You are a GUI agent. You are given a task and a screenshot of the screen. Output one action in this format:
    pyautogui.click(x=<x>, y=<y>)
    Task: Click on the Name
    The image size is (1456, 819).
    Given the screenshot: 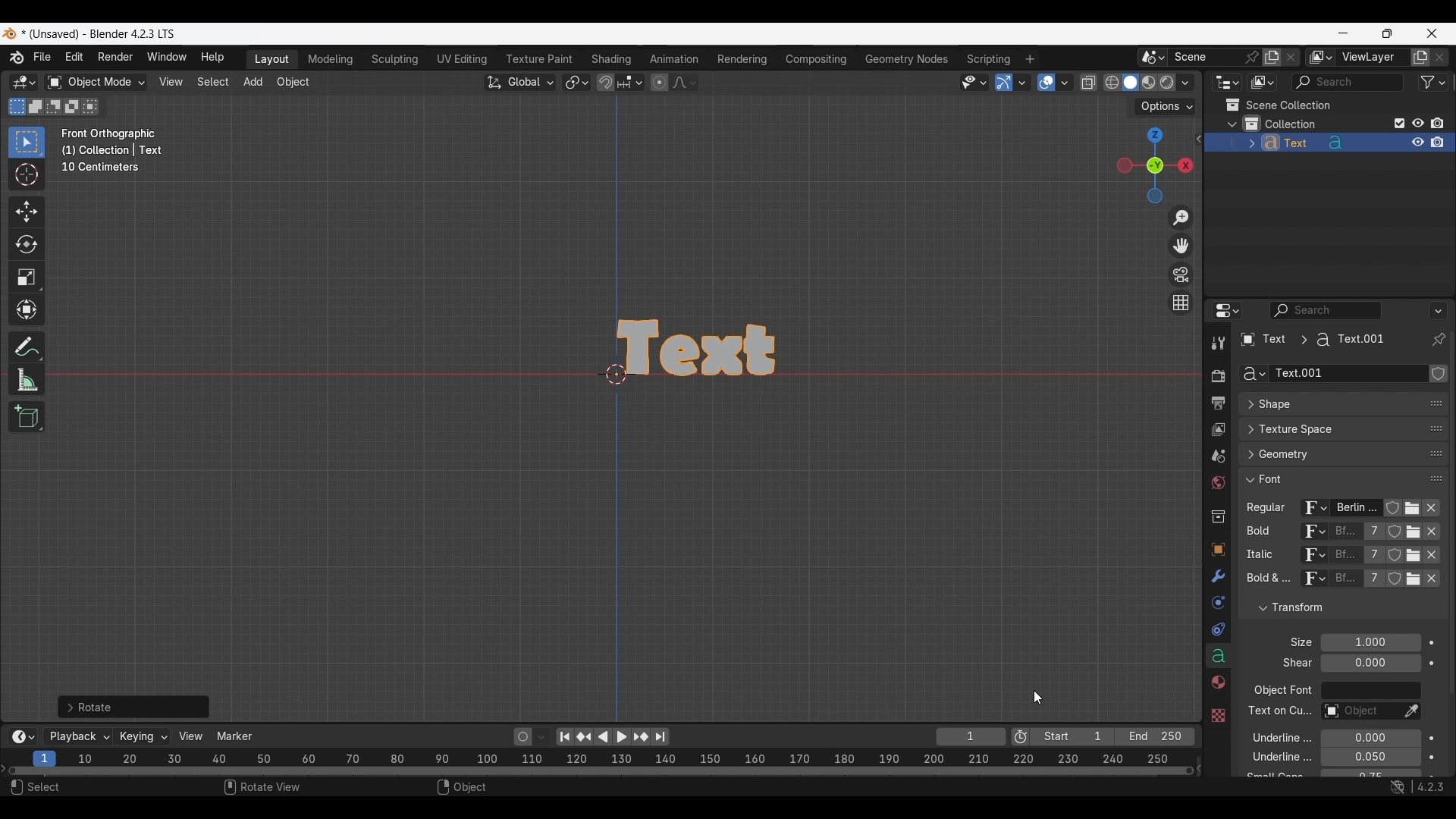 What is the action you would take?
    pyautogui.click(x=1348, y=374)
    